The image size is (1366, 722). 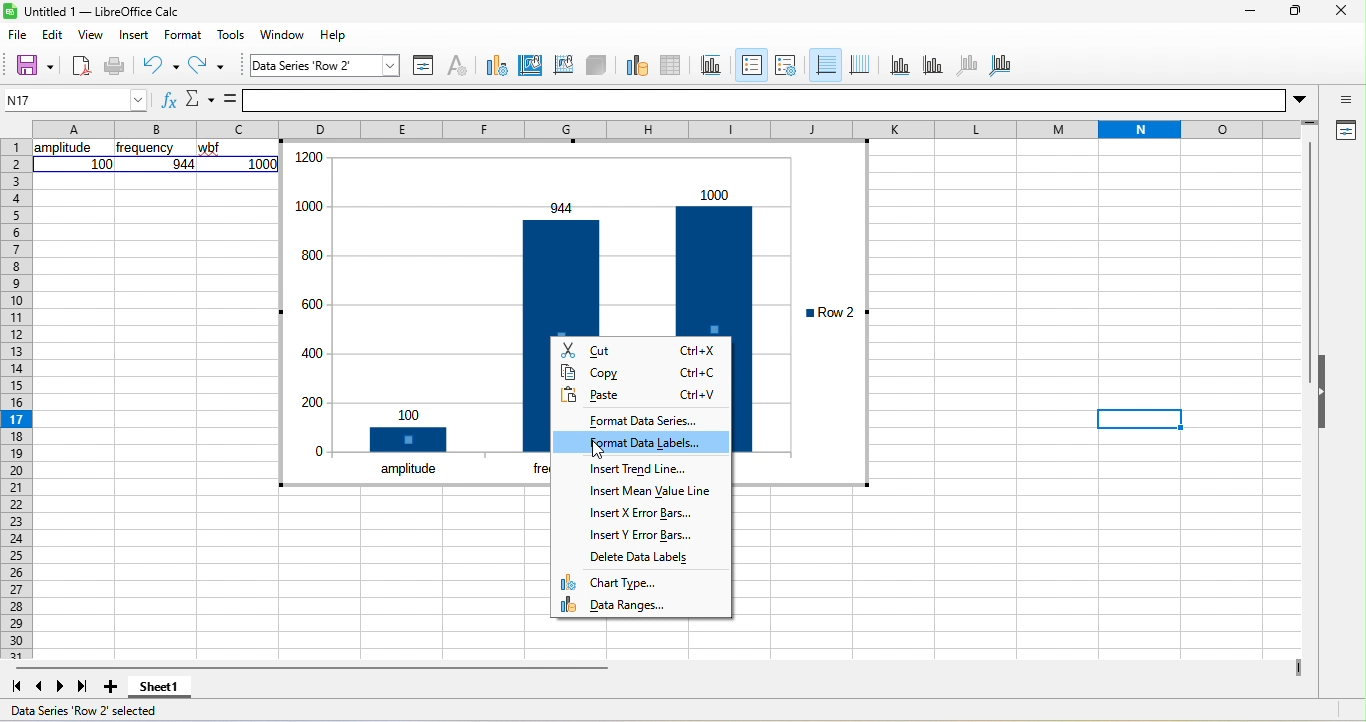 I want to click on row 2, so click(x=829, y=312).